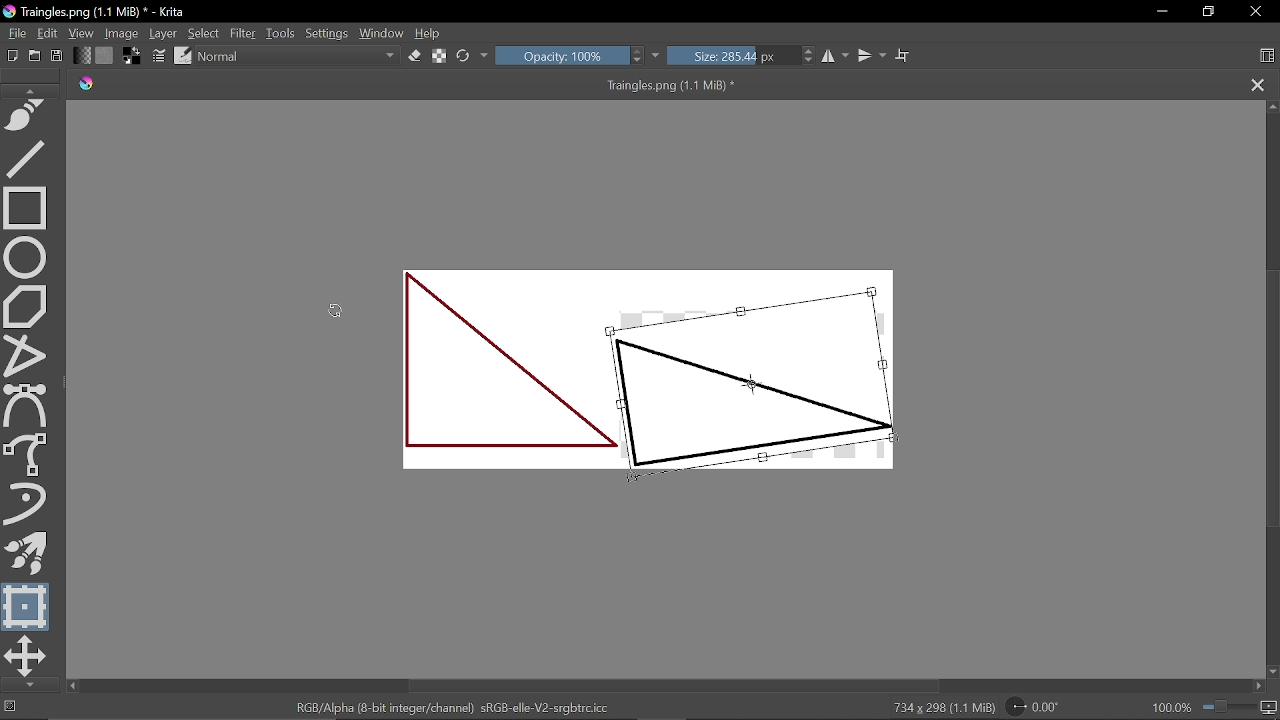  Describe the element at coordinates (1258, 687) in the screenshot. I see `Move right` at that location.